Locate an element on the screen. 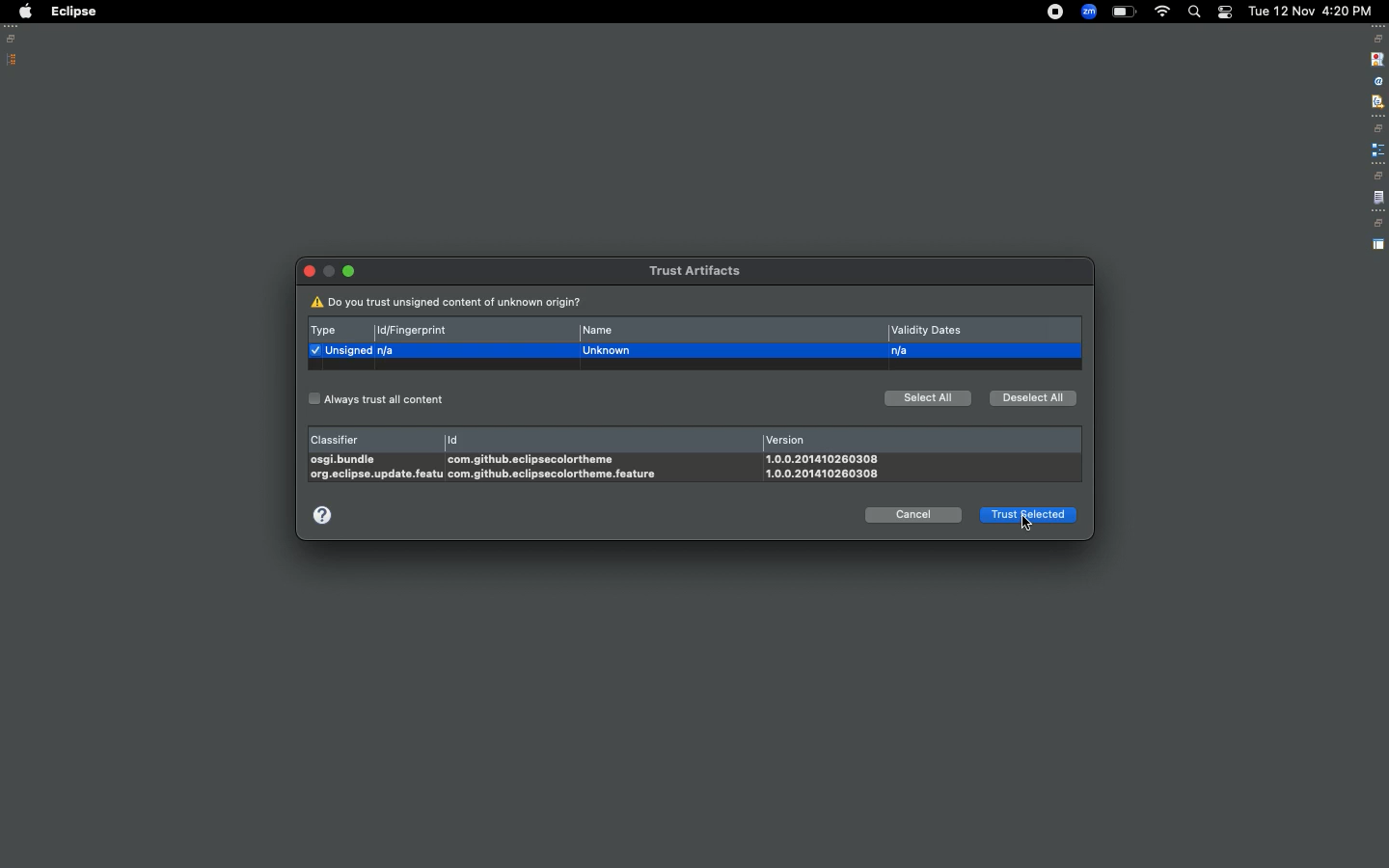 The image size is (1389, 868). cursor is located at coordinates (1028, 525).